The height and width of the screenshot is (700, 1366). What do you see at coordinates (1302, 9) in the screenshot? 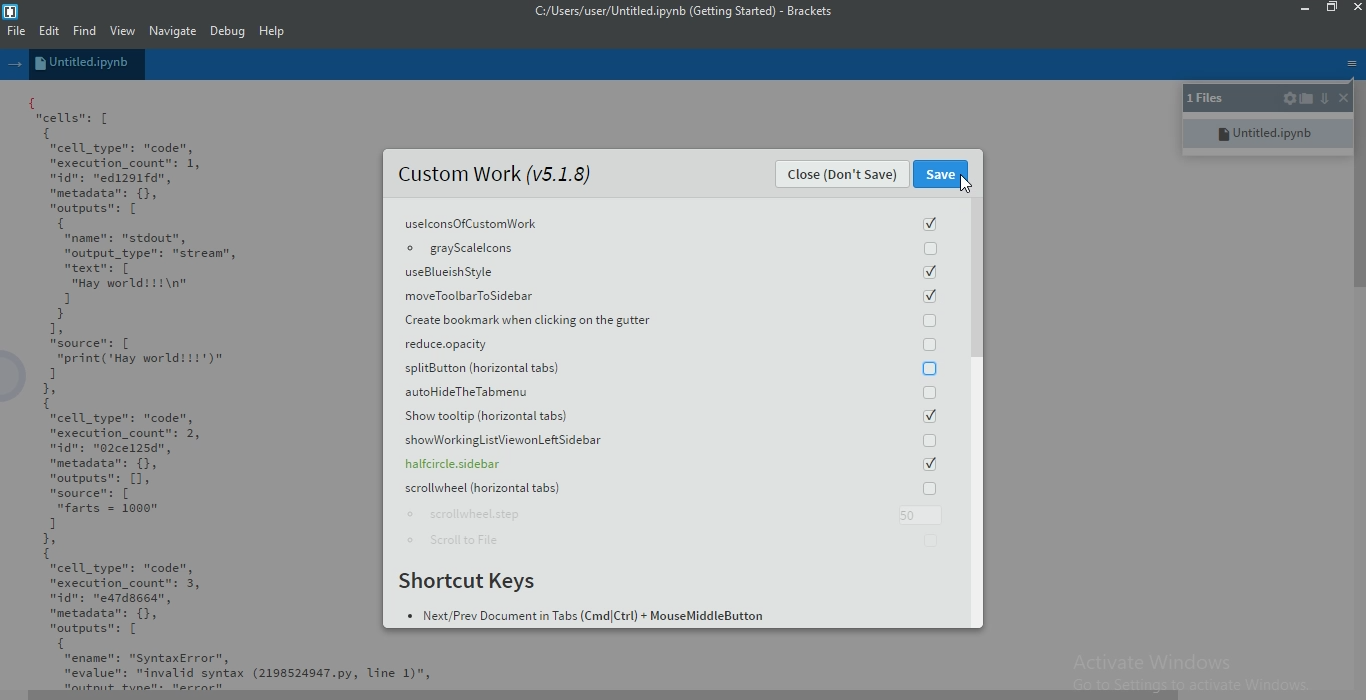
I see `minimise` at bounding box center [1302, 9].